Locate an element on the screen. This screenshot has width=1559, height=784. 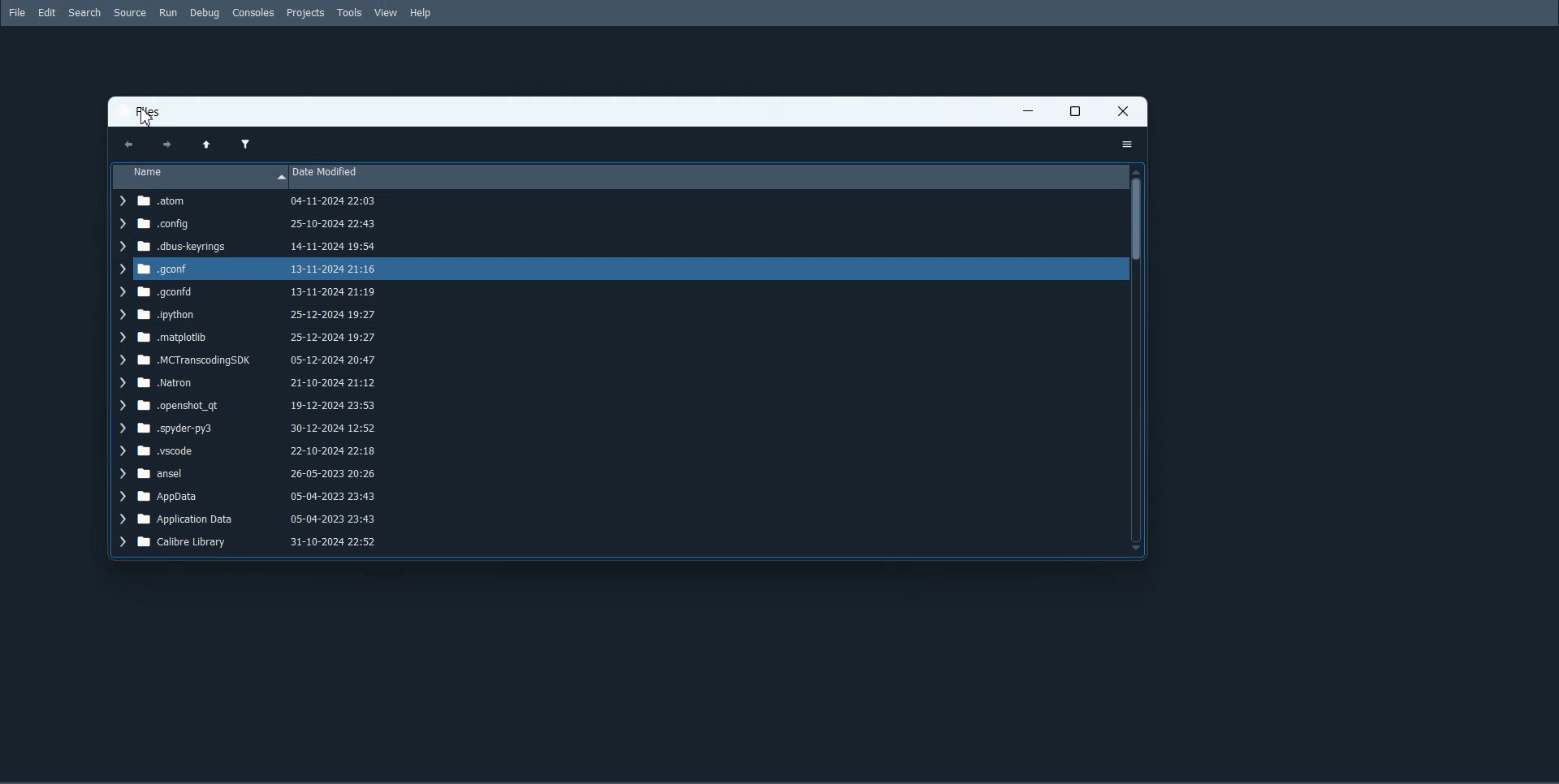
Cursor is located at coordinates (146, 118).